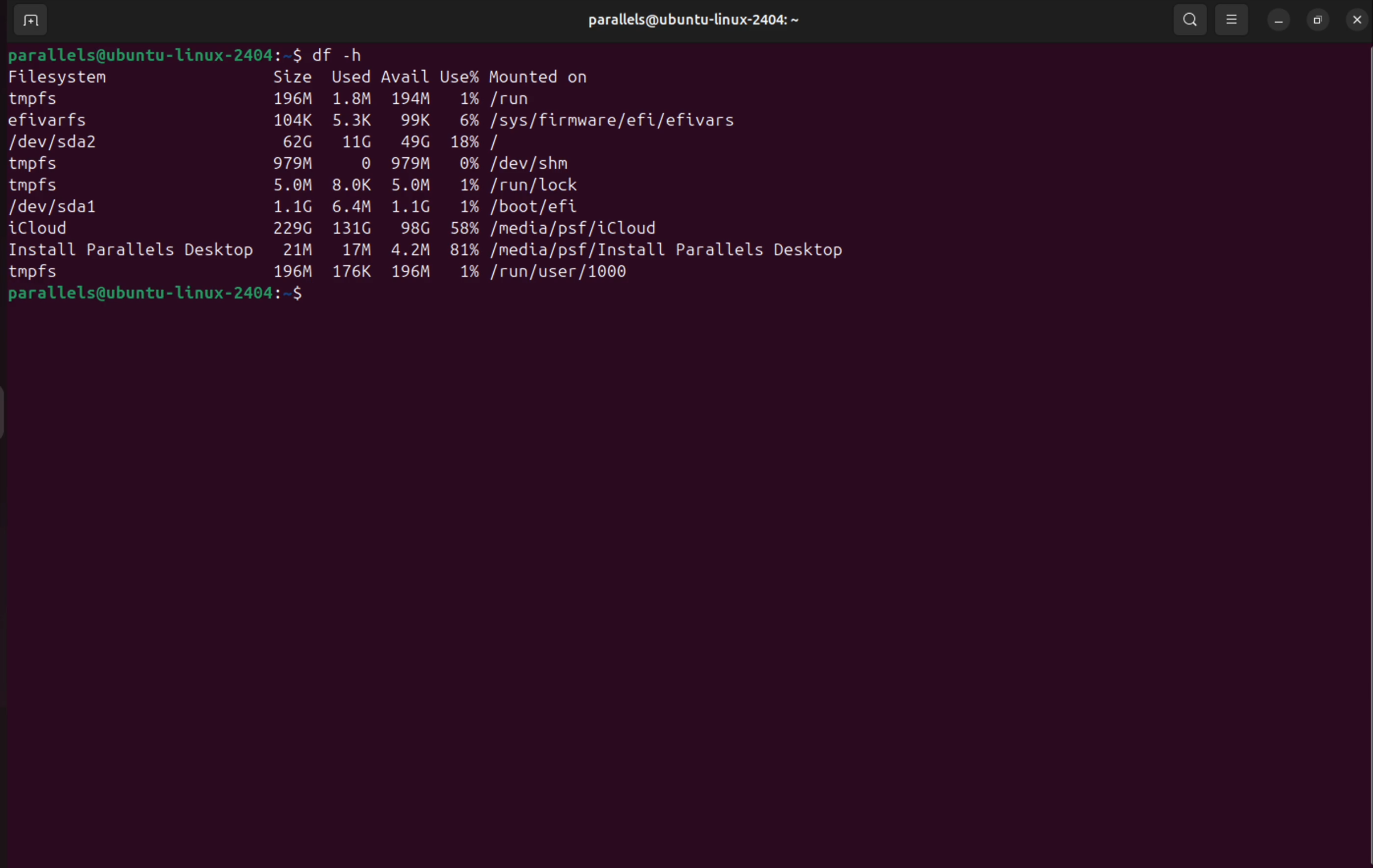 The width and height of the screenshot is (1373, 868). What do you see at coordinates (404, 74) in the screenshot?
I see `Avail user` at bounding box center [404, 74].